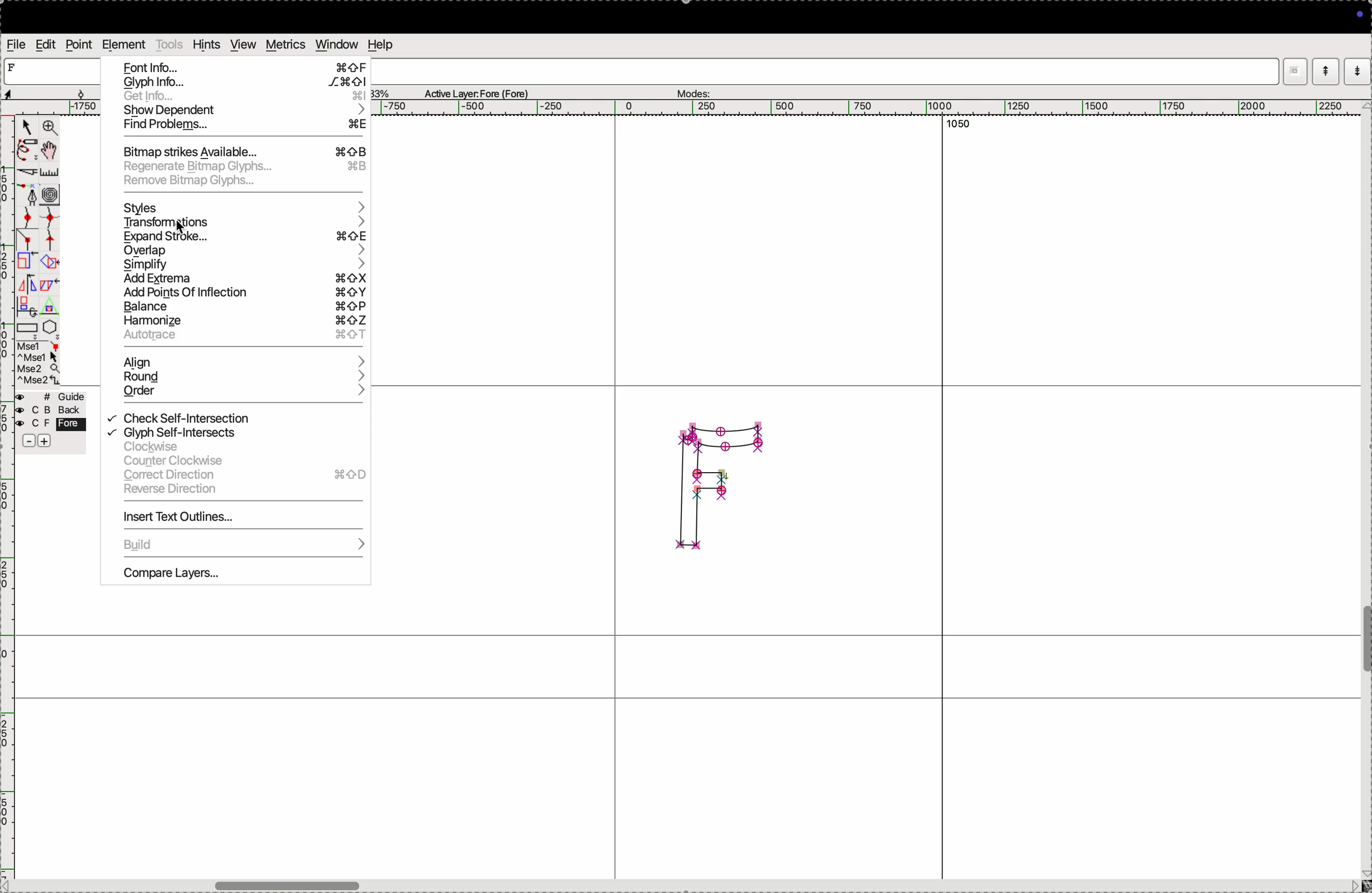 The image size is (1372, 893). I want to click on add extrema, so click(243, 280).